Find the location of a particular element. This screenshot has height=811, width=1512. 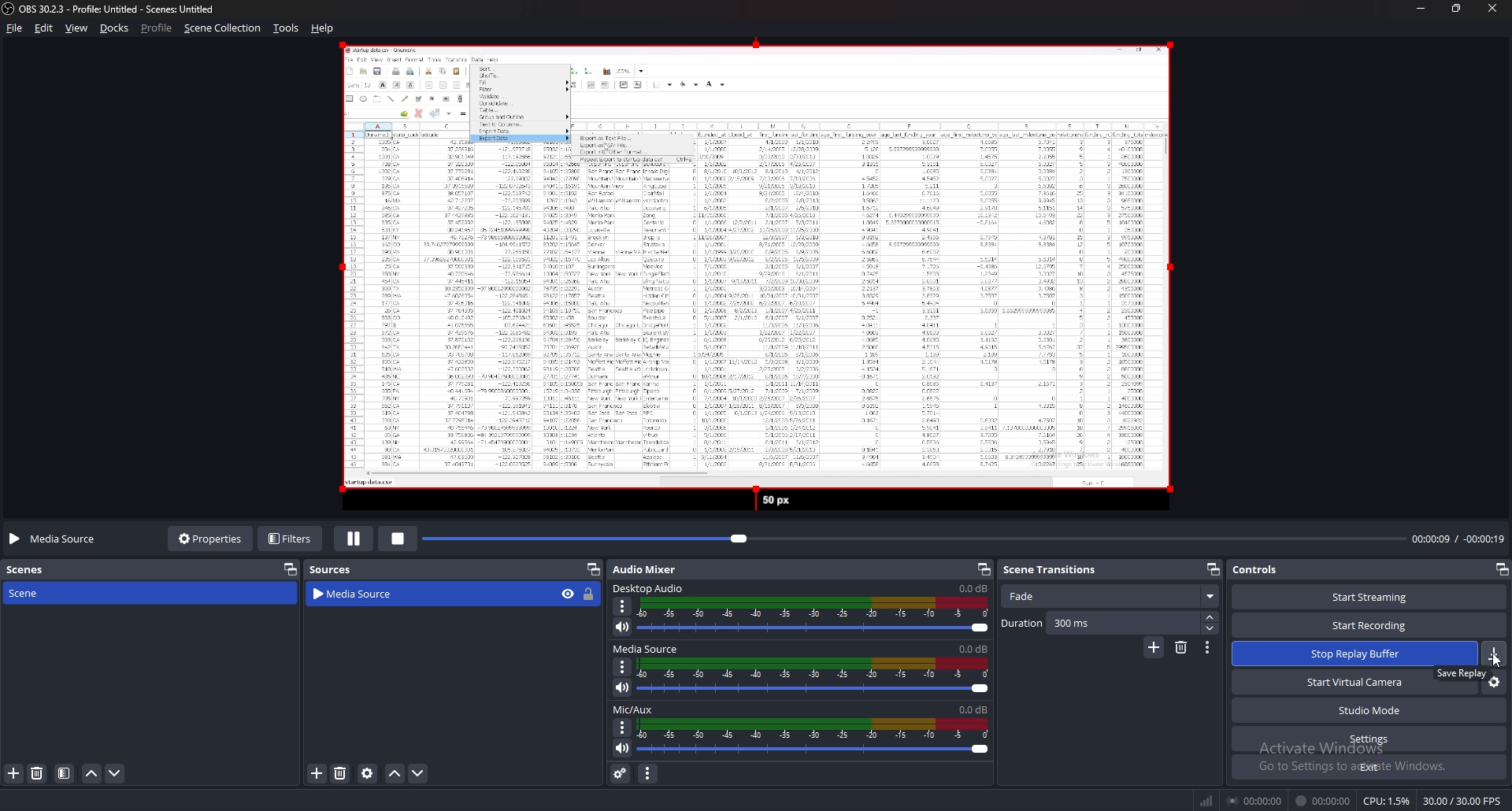

help is located at coordinates (324, 28).